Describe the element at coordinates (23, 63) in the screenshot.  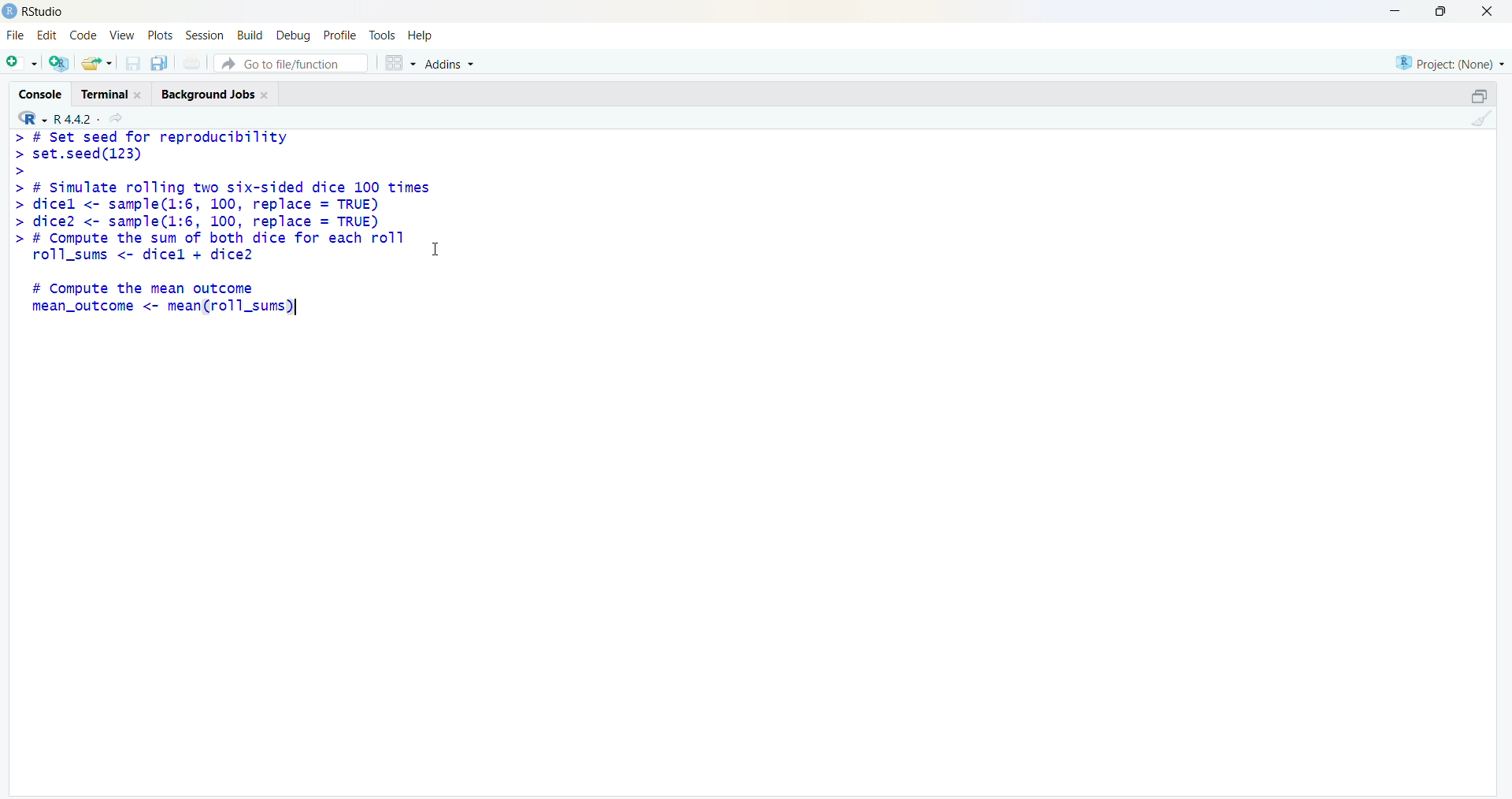
I see `add file as` at that location.